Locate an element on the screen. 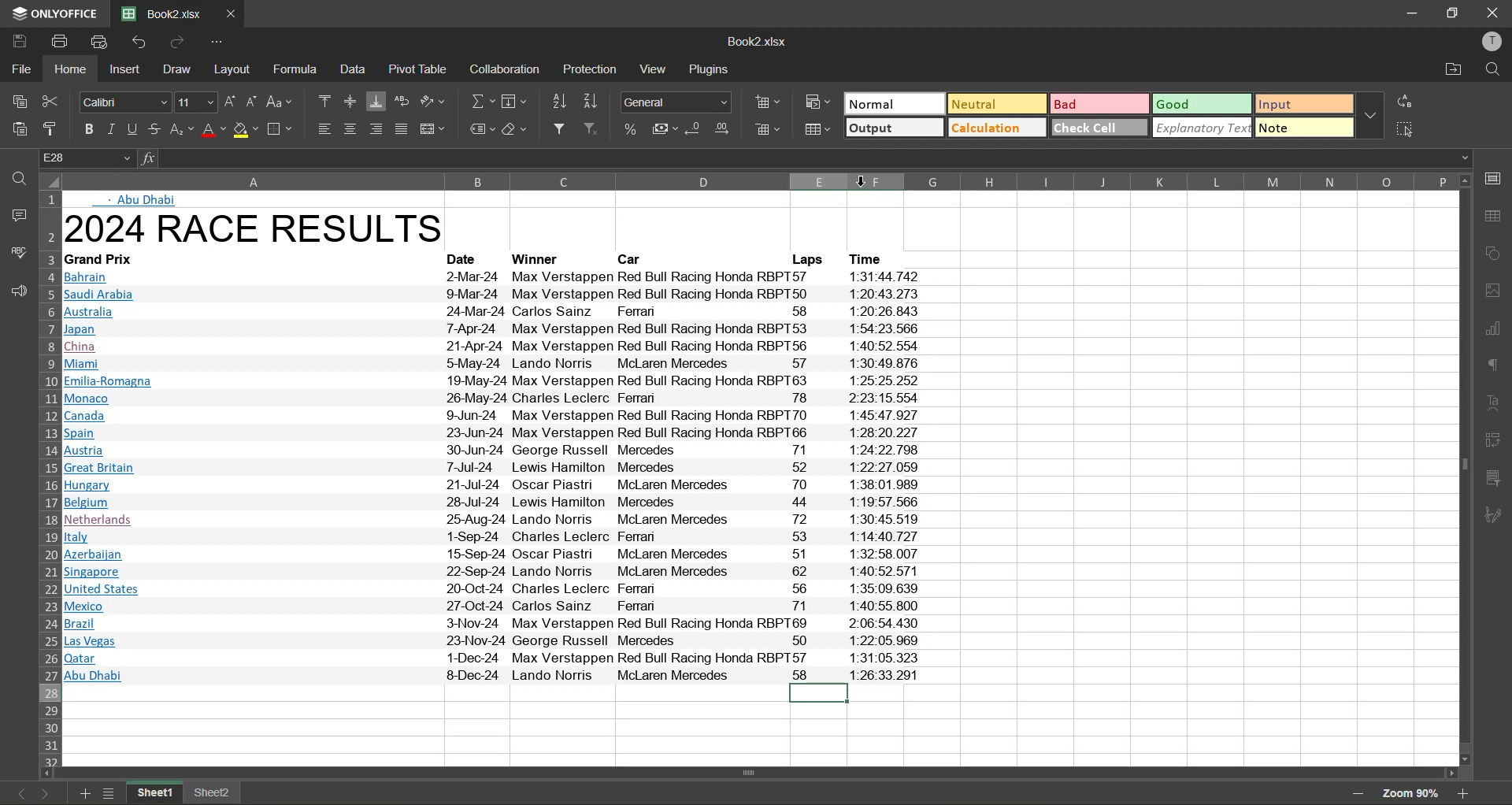 Image resolution: width=1512 pixels, height=805 pixels. quick print is located at coordinates (102, 43).